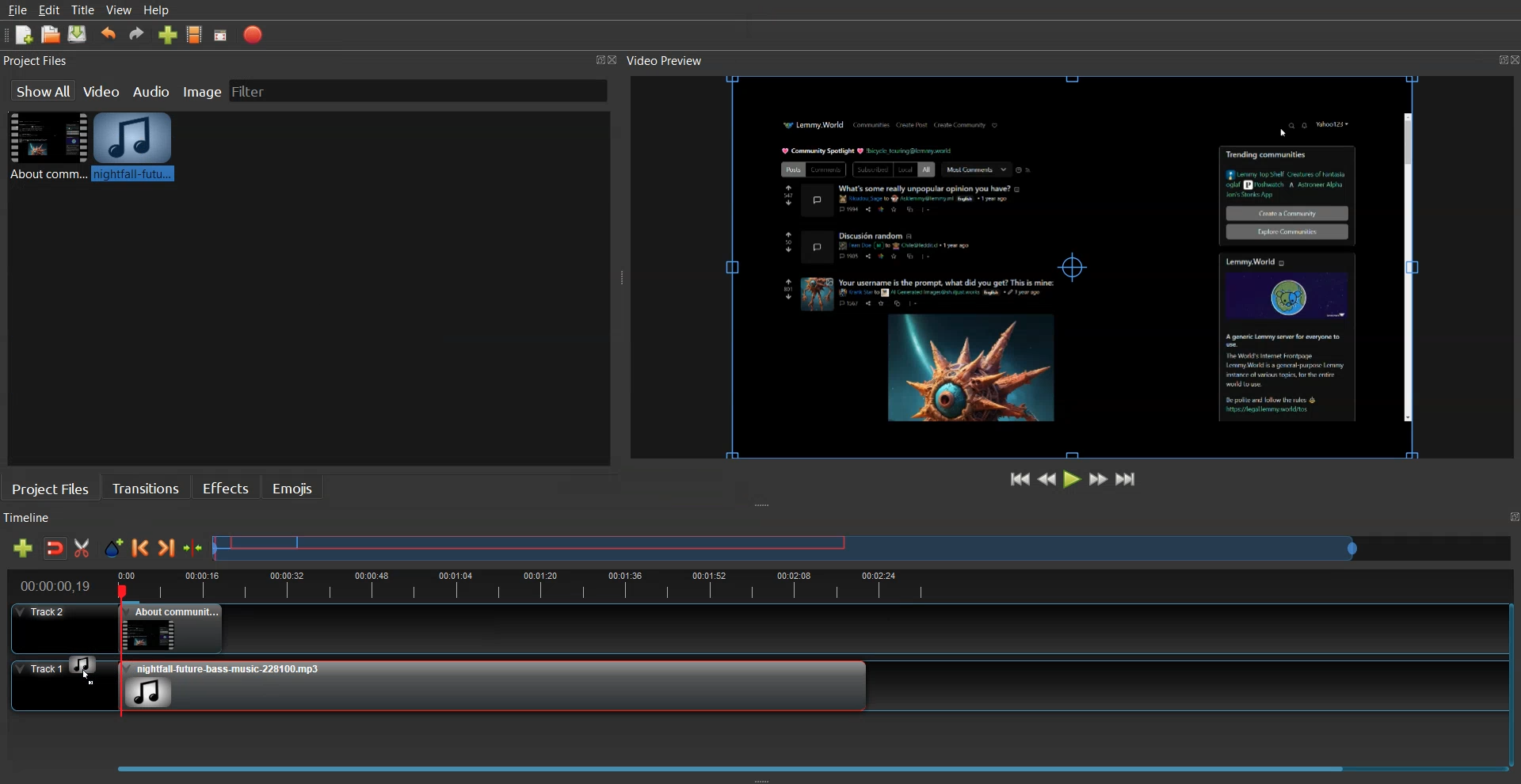  I want to click on Drag Cursor, so click(83, 668).